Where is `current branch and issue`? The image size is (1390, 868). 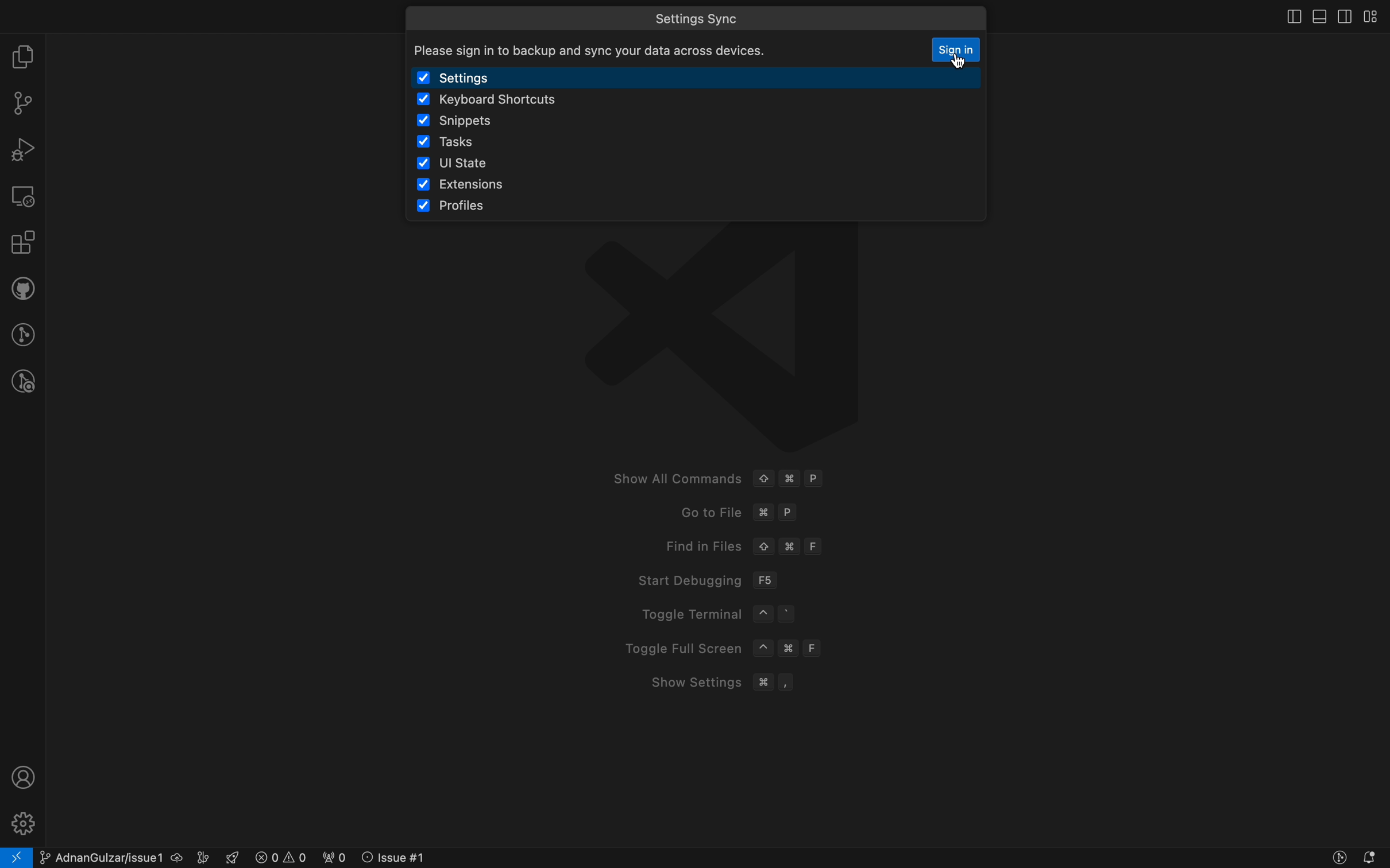 current branch and issue is located at coordinates (126, 857).